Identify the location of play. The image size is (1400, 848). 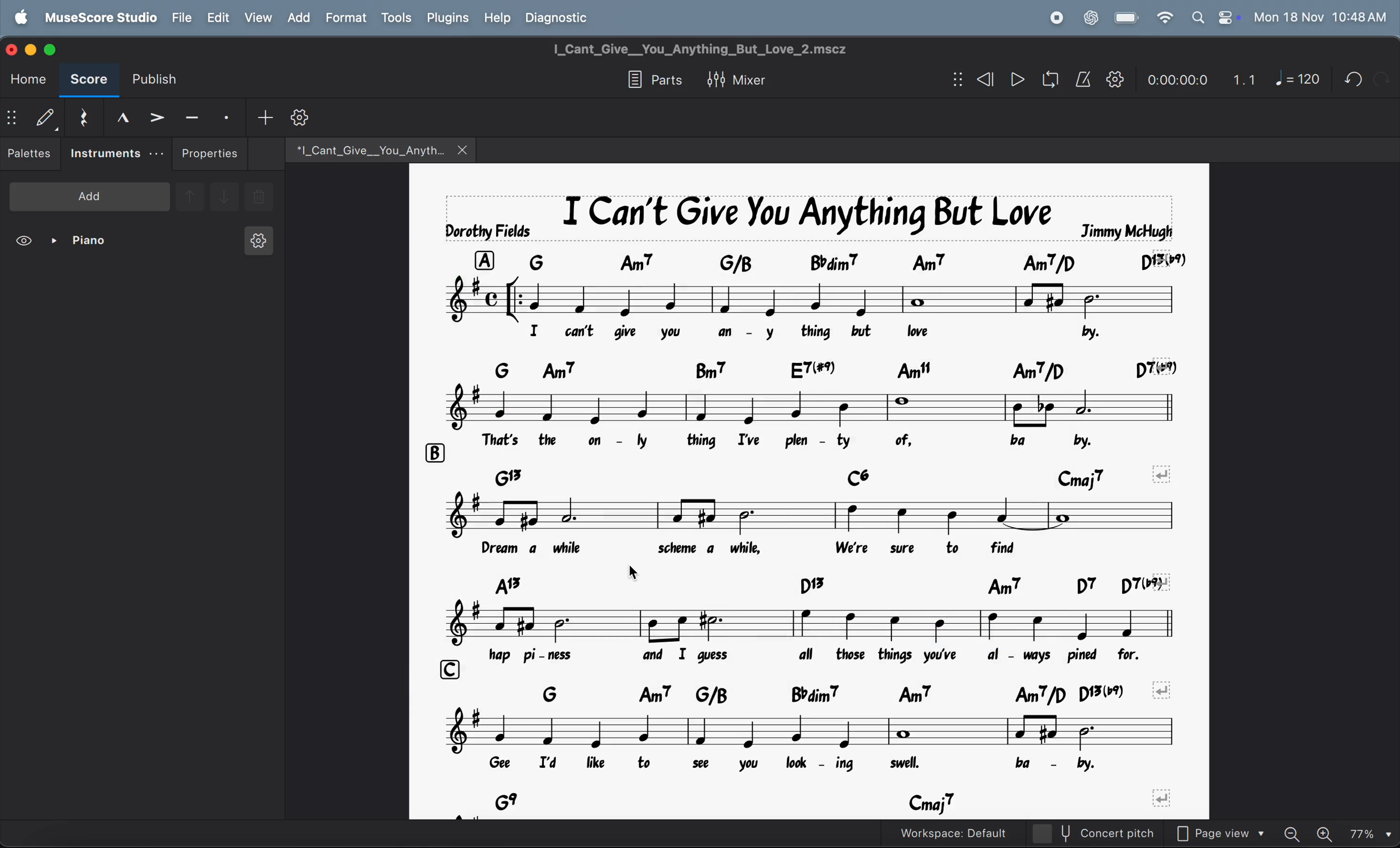
(1017, 81).